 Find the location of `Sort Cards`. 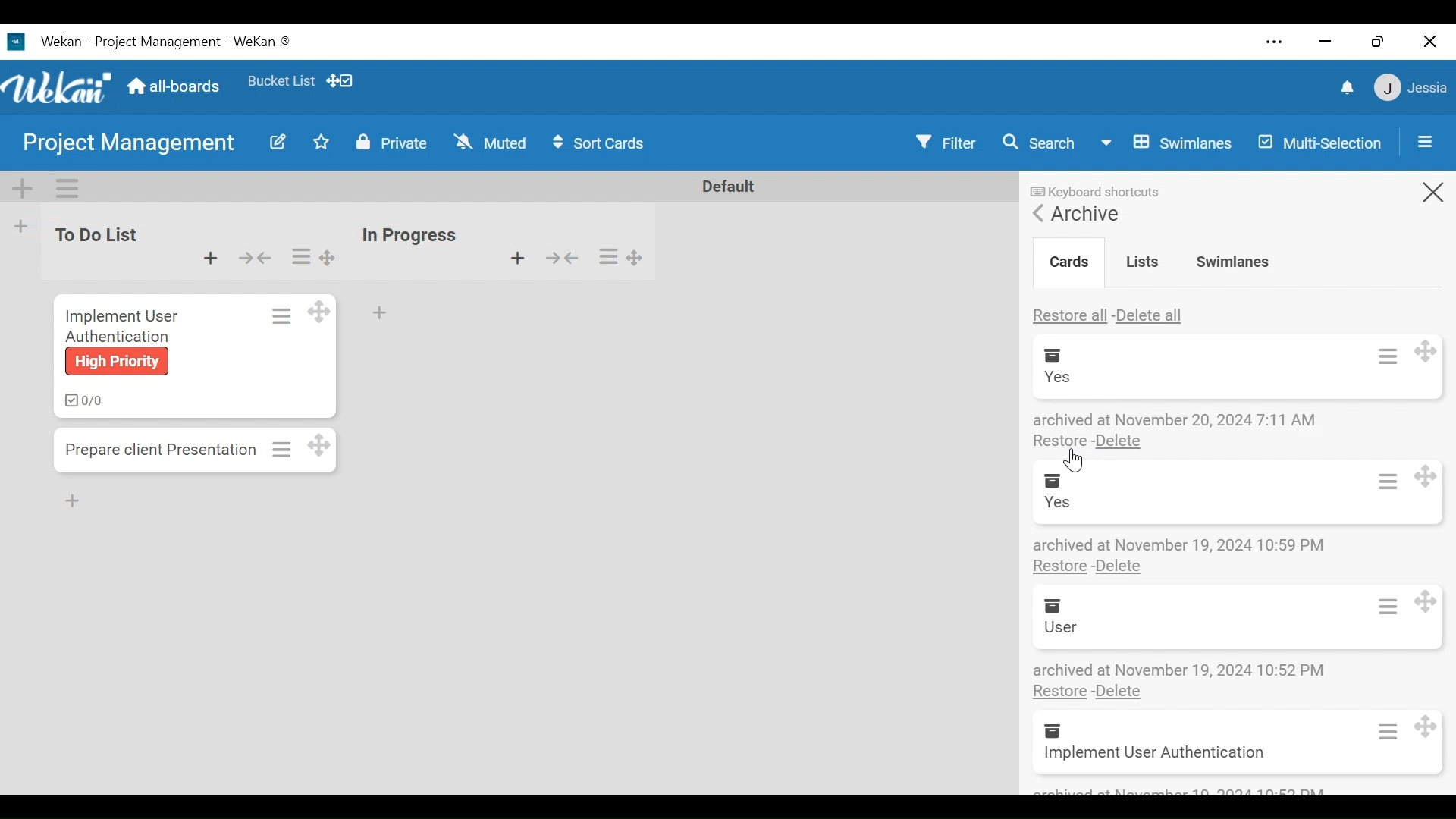

Sort Cards is located at coordinates (601, 143).